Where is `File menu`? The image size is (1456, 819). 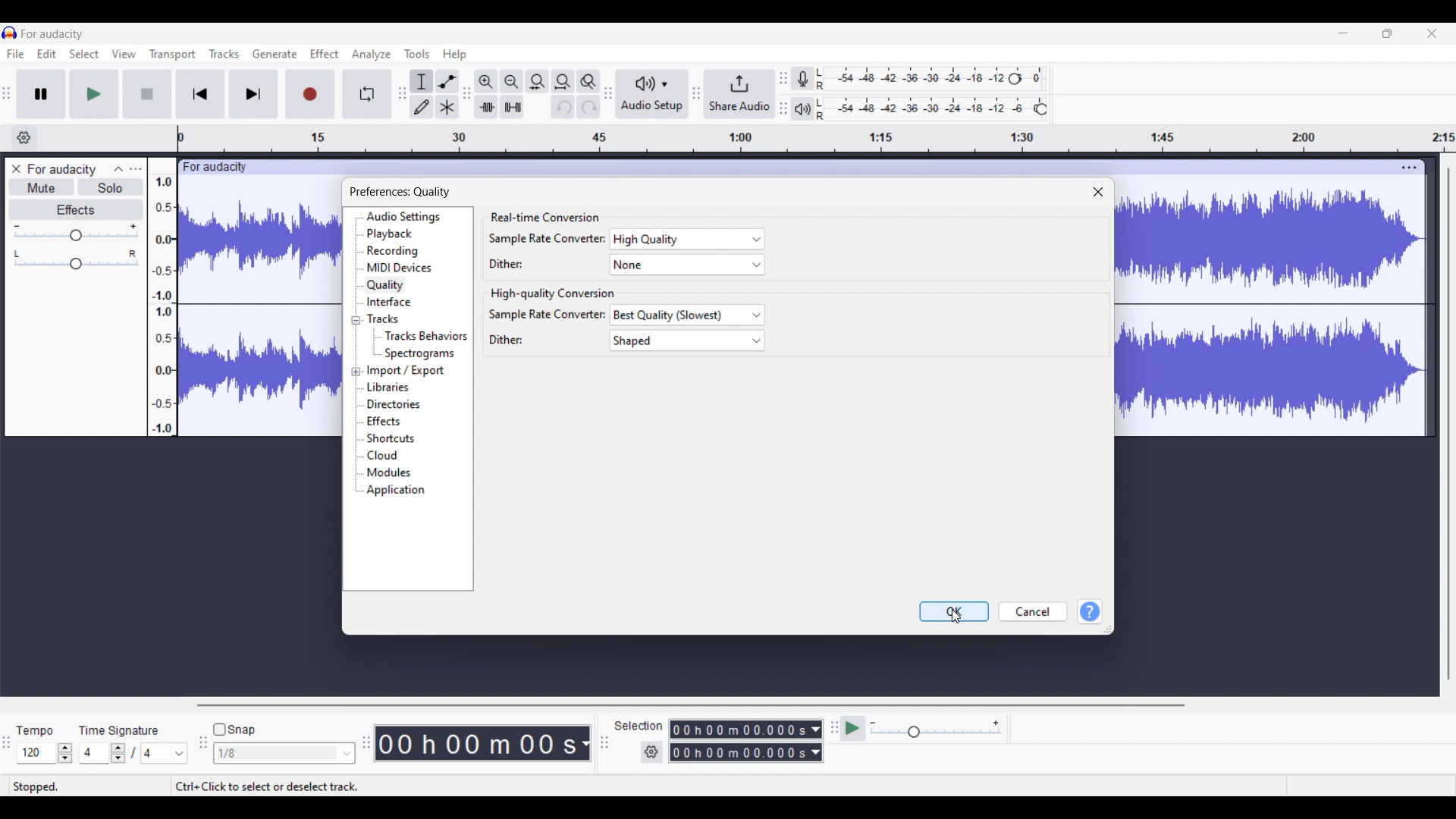
File menu is located at coordinates (16, 54).